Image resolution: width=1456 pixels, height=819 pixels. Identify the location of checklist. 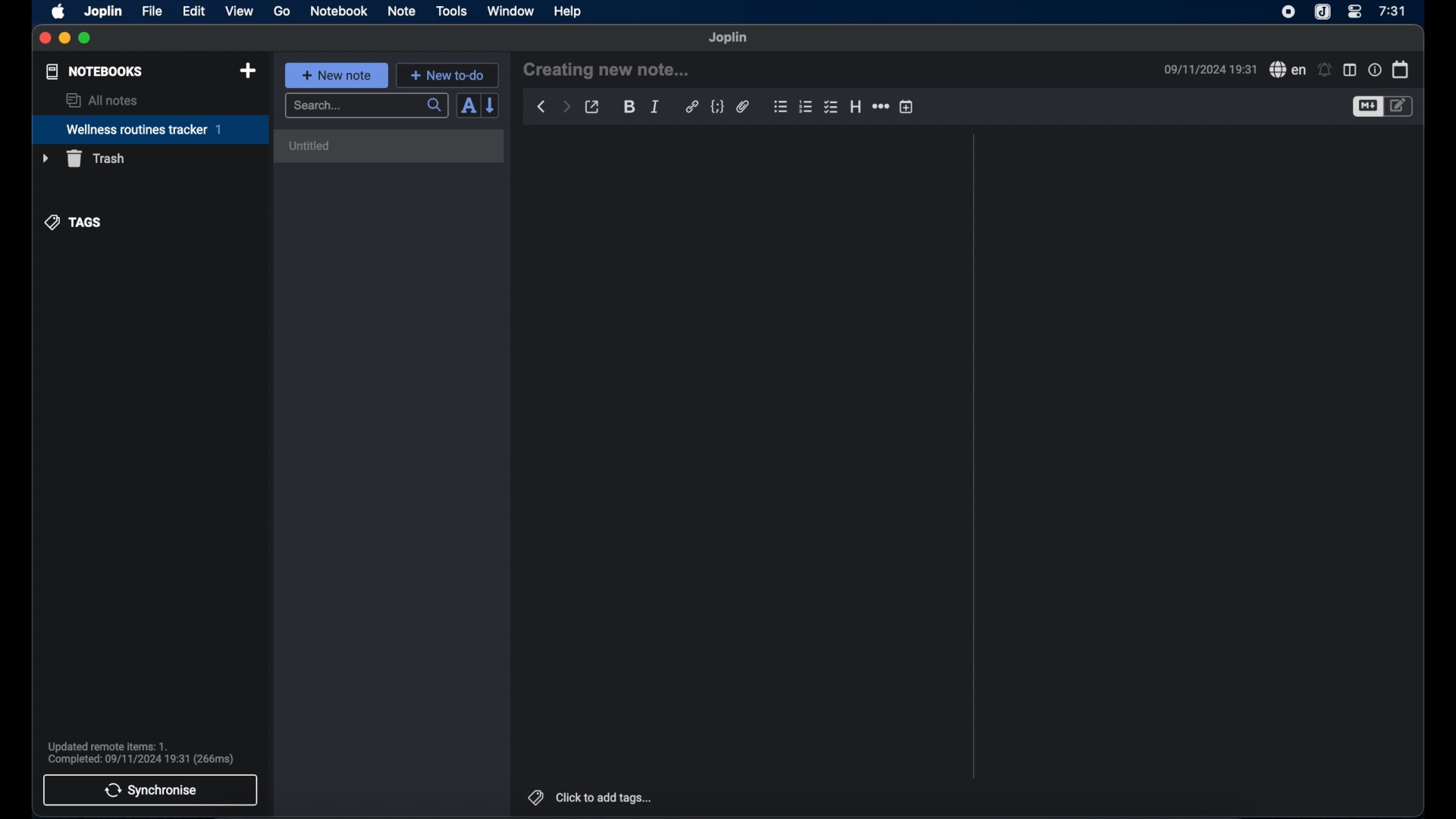
(832, 106).